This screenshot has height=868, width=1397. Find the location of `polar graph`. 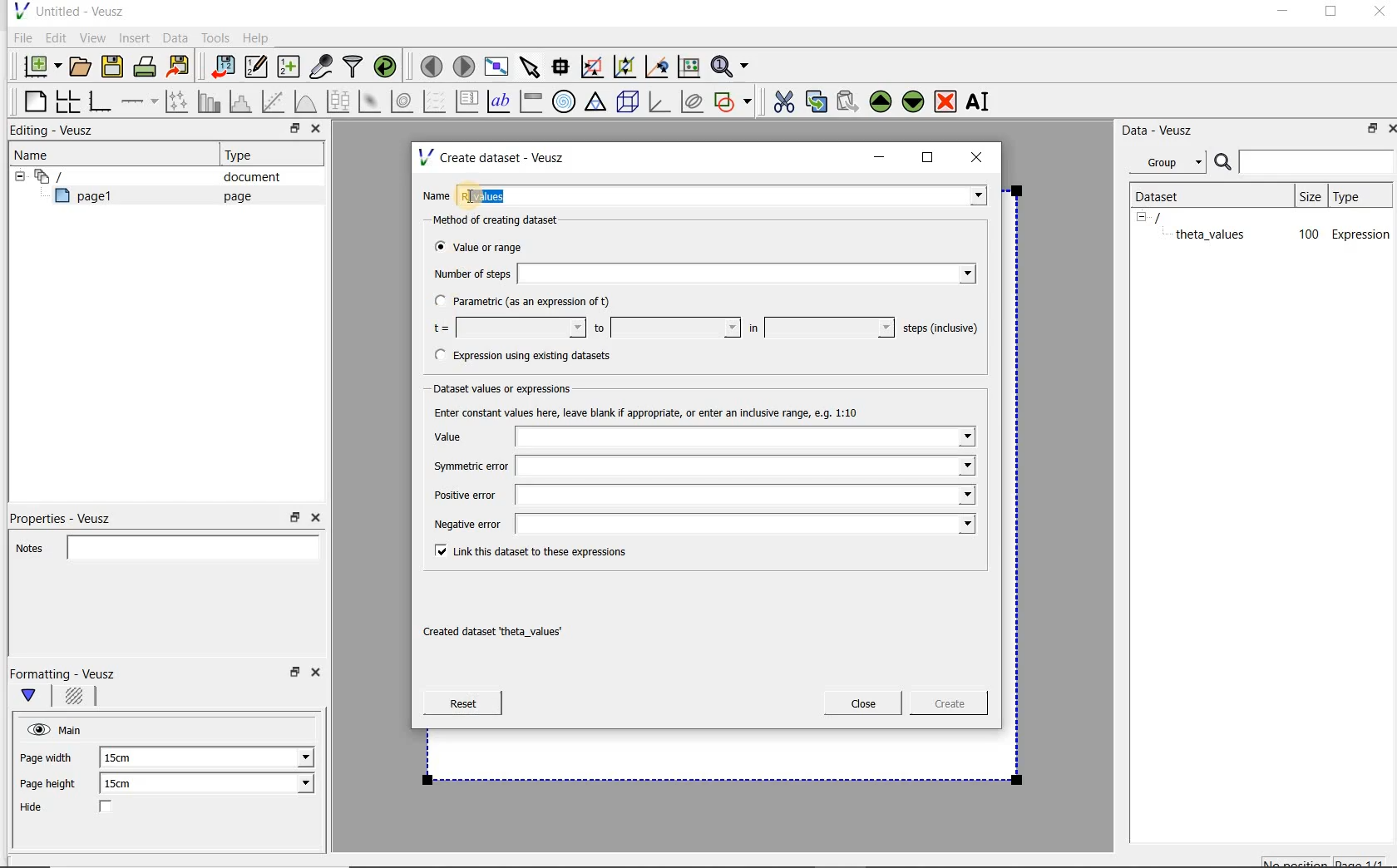

polar graph is located at coordinates (565, 101).